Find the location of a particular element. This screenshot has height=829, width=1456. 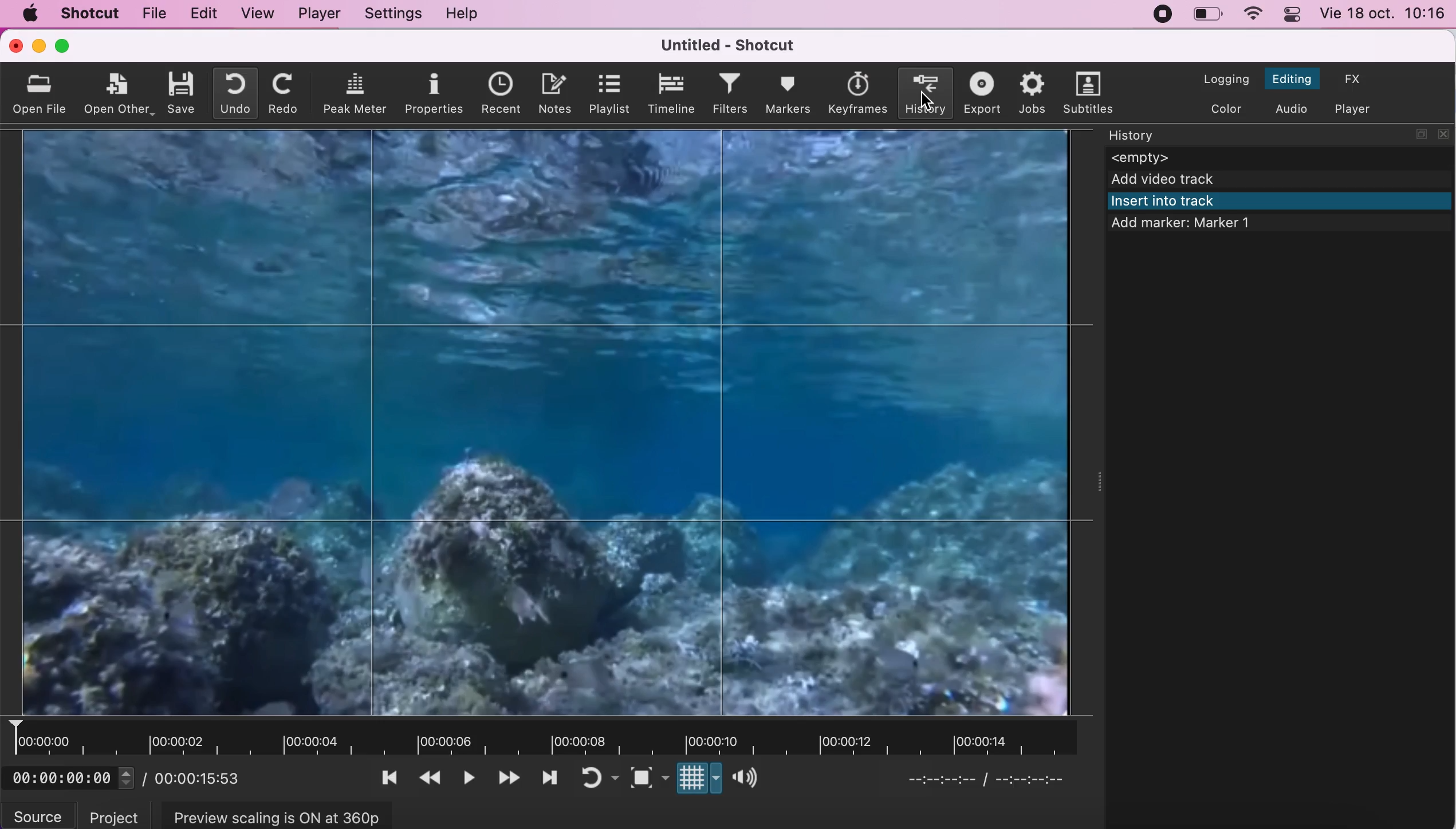

Untitled - Shotcut is located at coordinates (733, 44).